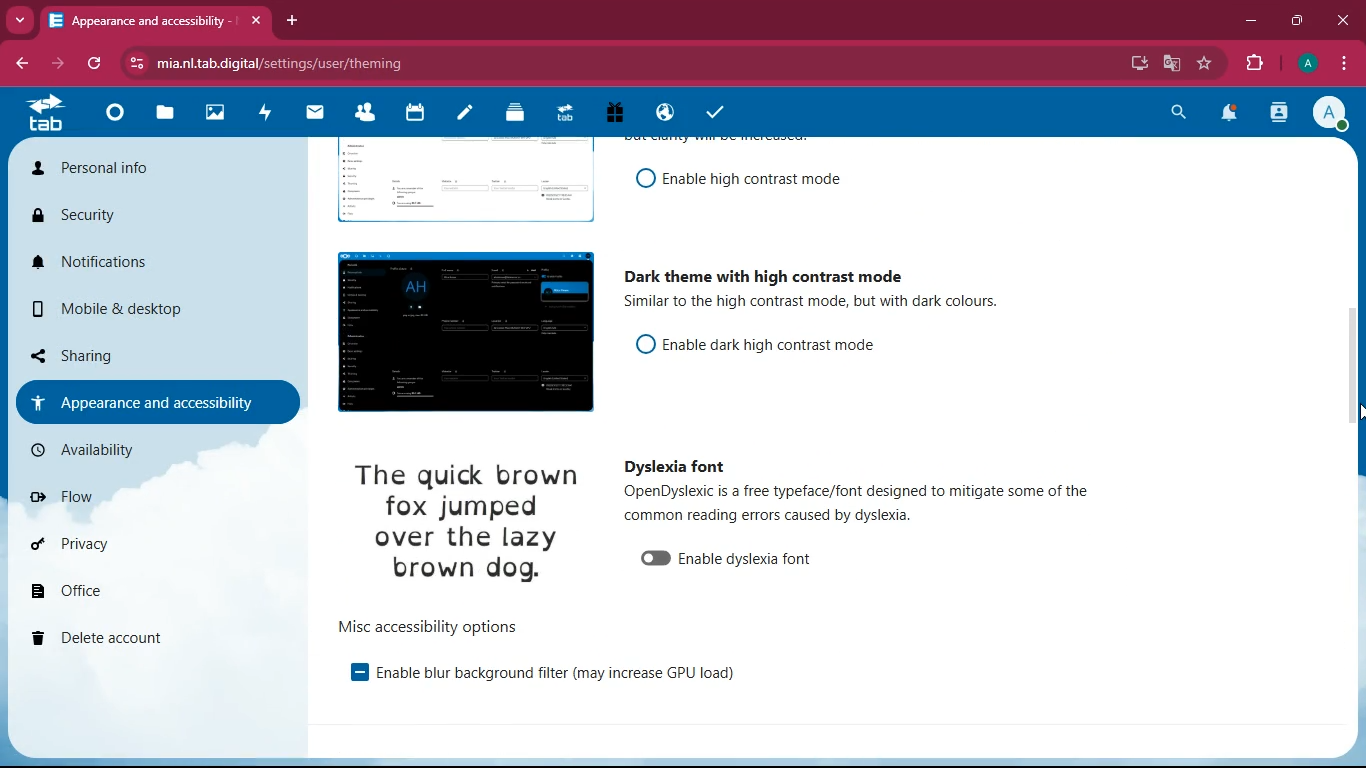 This screenshot has height=768, width=1366. I want to click on refresh, so click(91, 65).